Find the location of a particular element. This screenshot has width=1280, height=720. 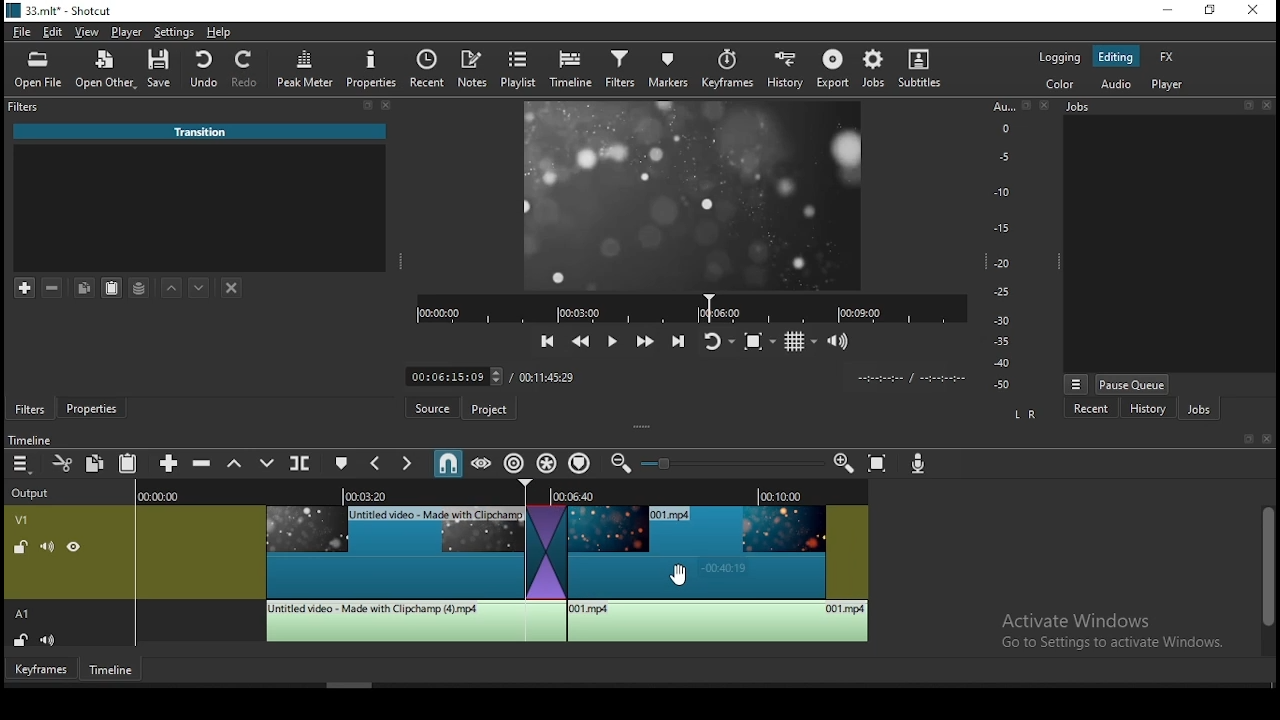

timeline is located at coordinates (111, 671).